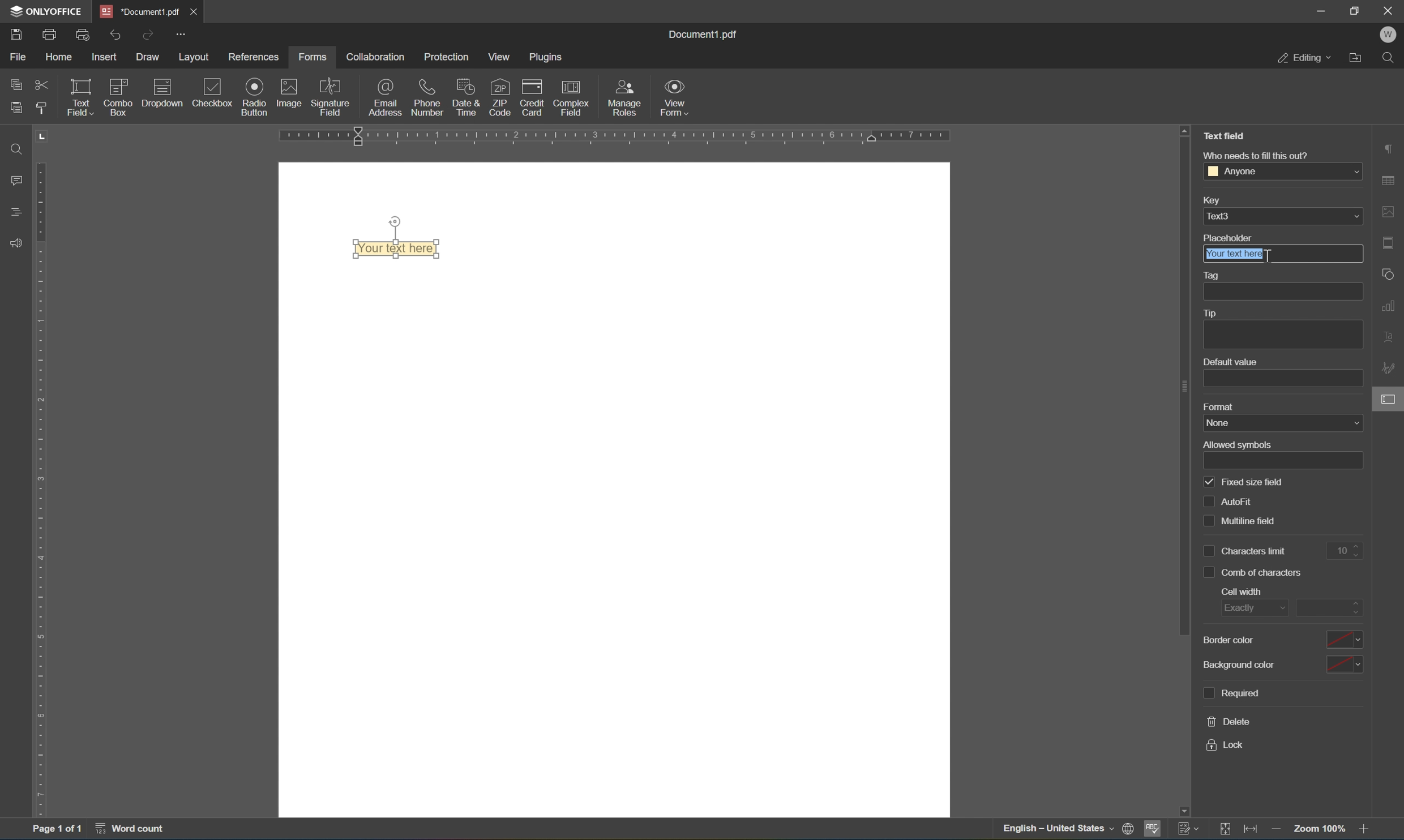  I want to click on insert, so click(106, 57).